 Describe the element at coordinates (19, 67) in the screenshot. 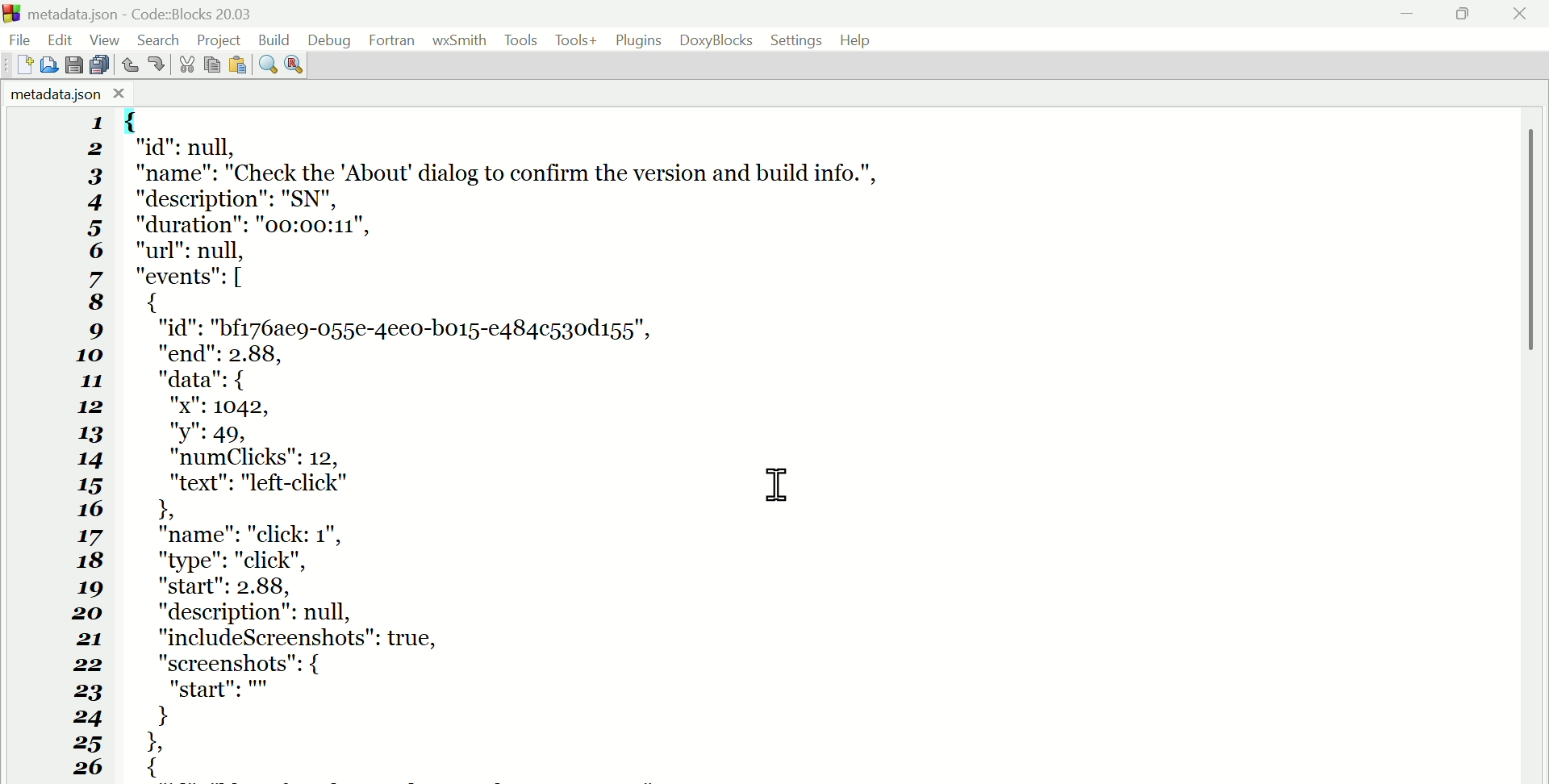

I see `New` at that location.